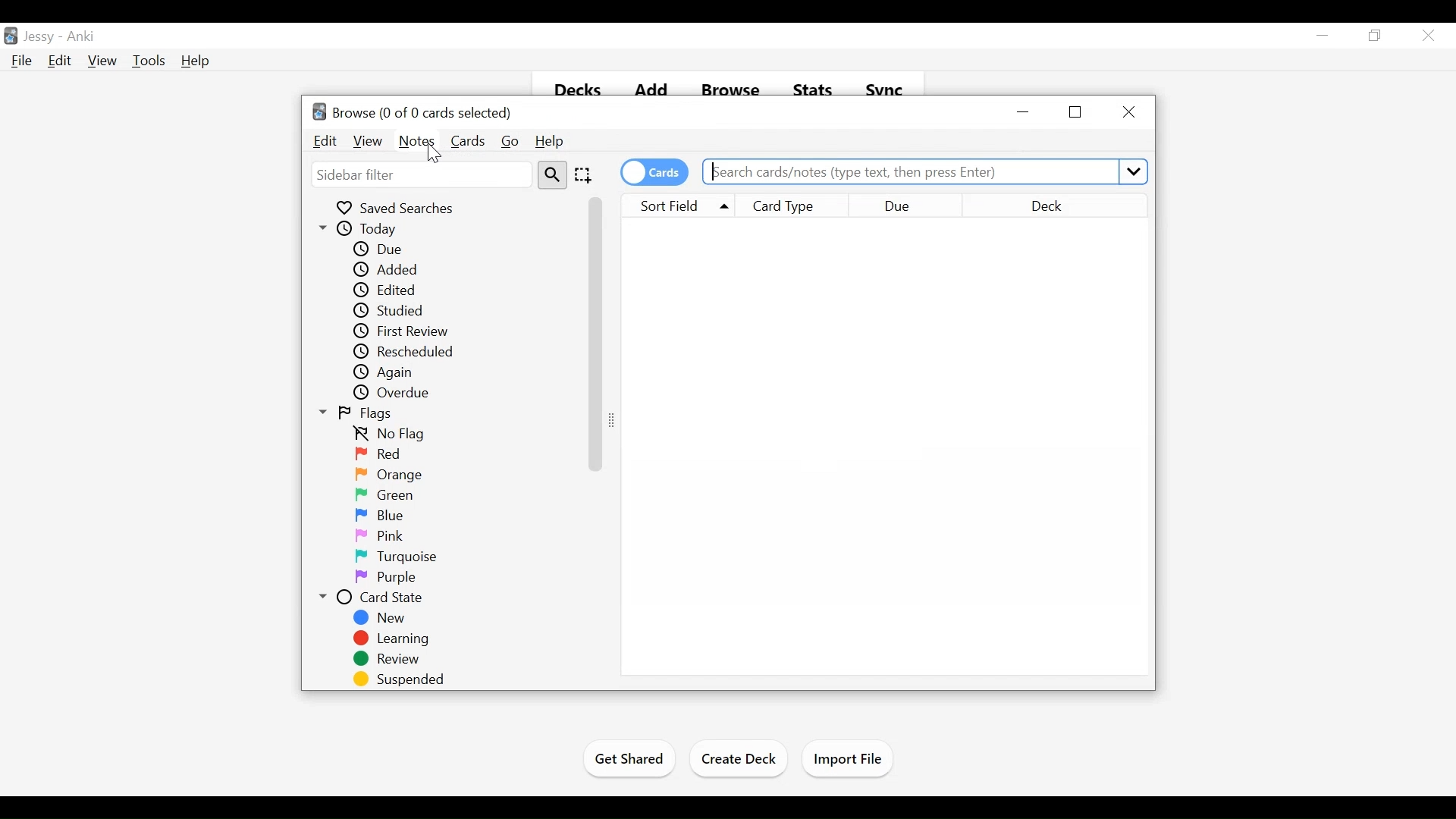  What do you see at coordinates (376, 249) in the screenshot?
I see `Due` at bounding box center [376, 249].